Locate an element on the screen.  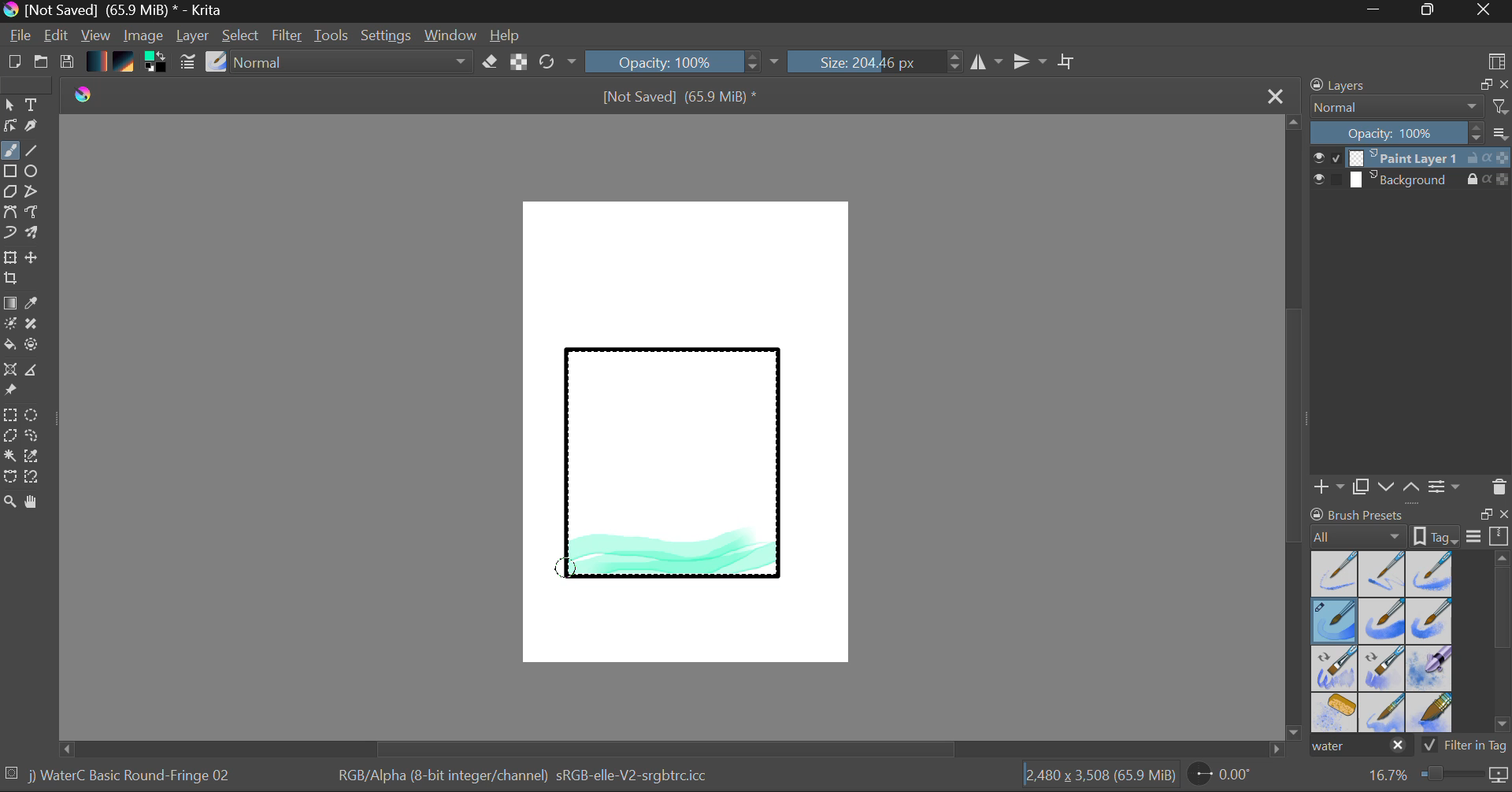
Multibrush Tool is located at coordinates (33, 235).